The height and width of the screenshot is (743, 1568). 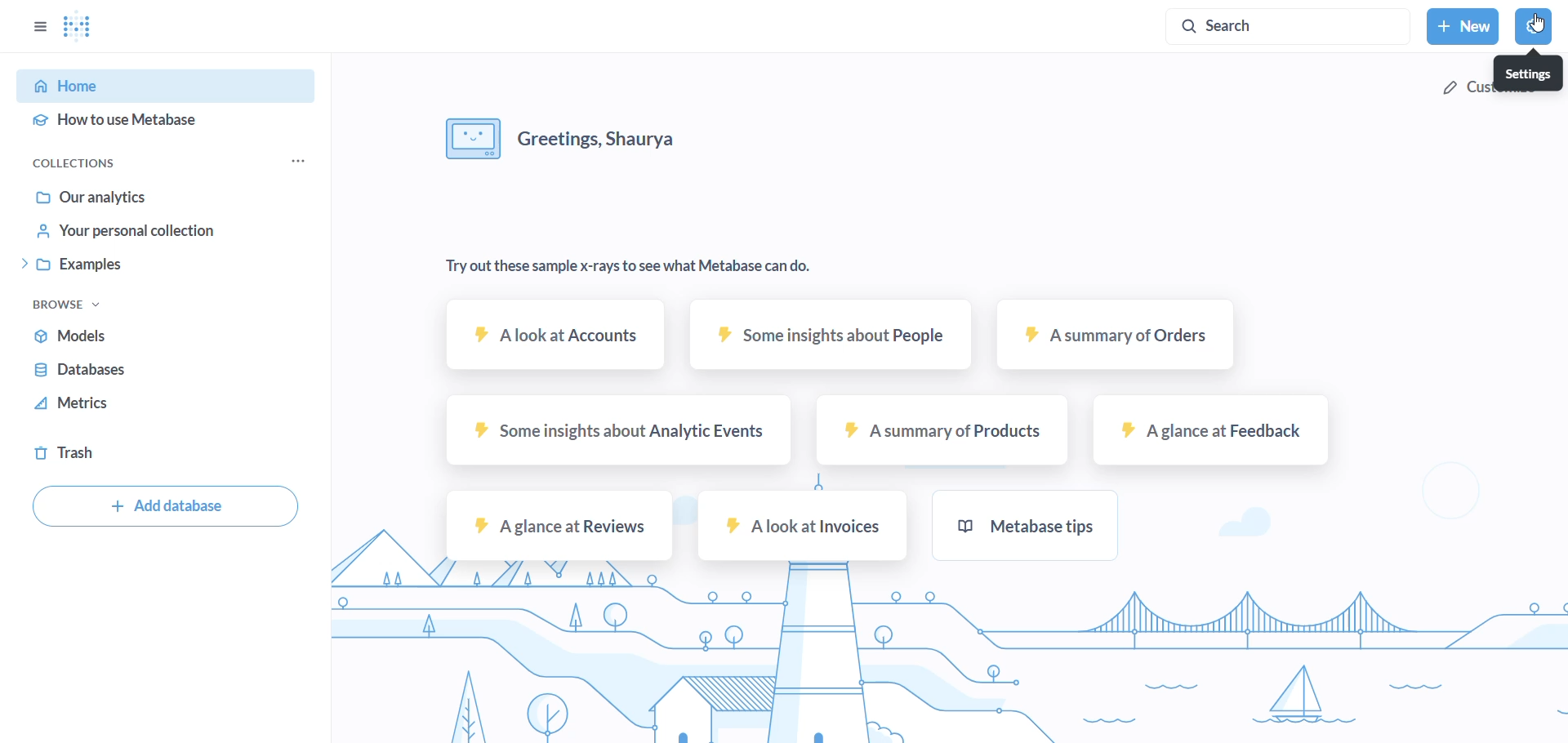 I want to click on OPTIONS, so click(x=33, y=26).